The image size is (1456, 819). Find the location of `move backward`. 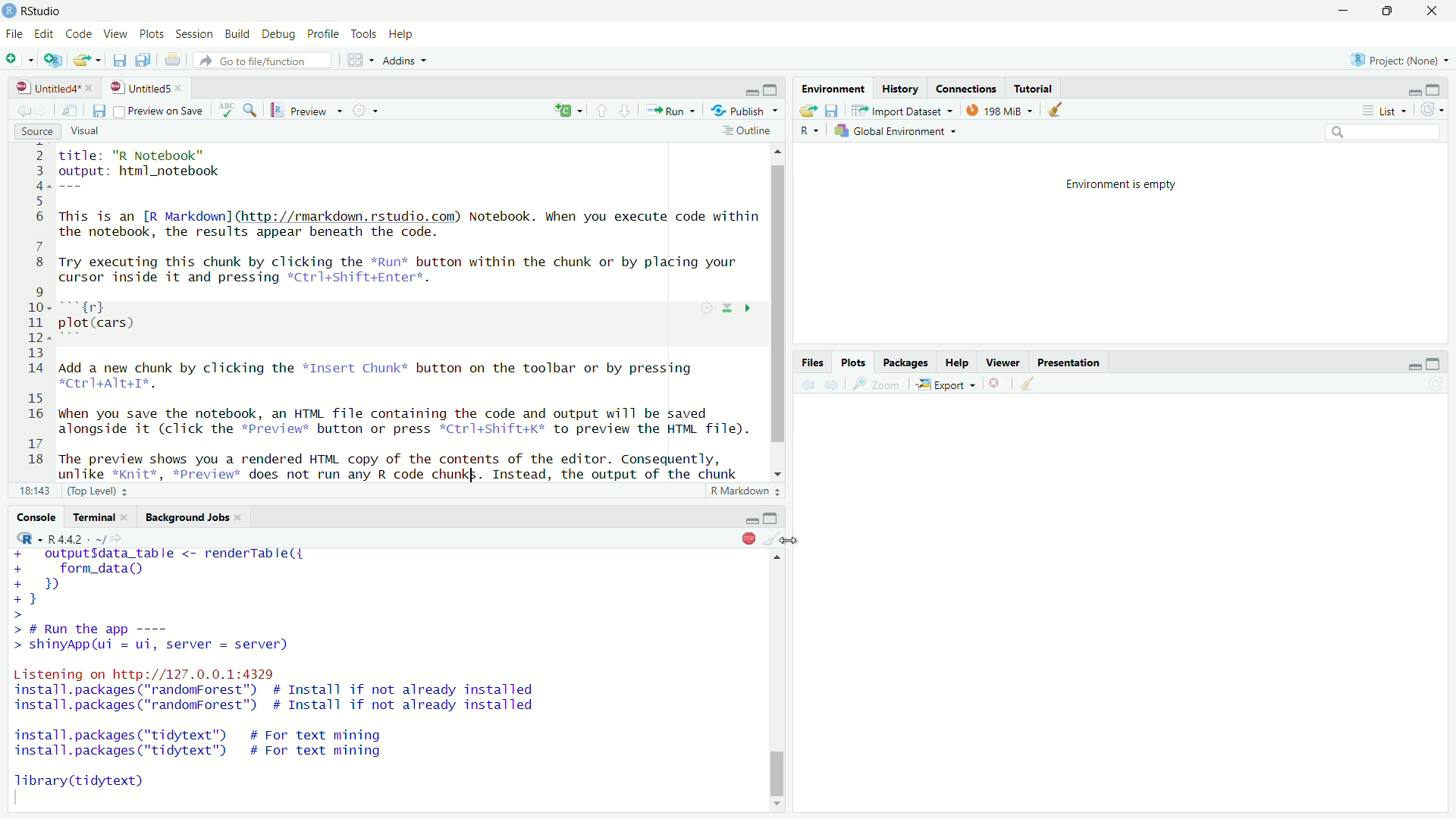

move backward is located at coordinates (44, 110).